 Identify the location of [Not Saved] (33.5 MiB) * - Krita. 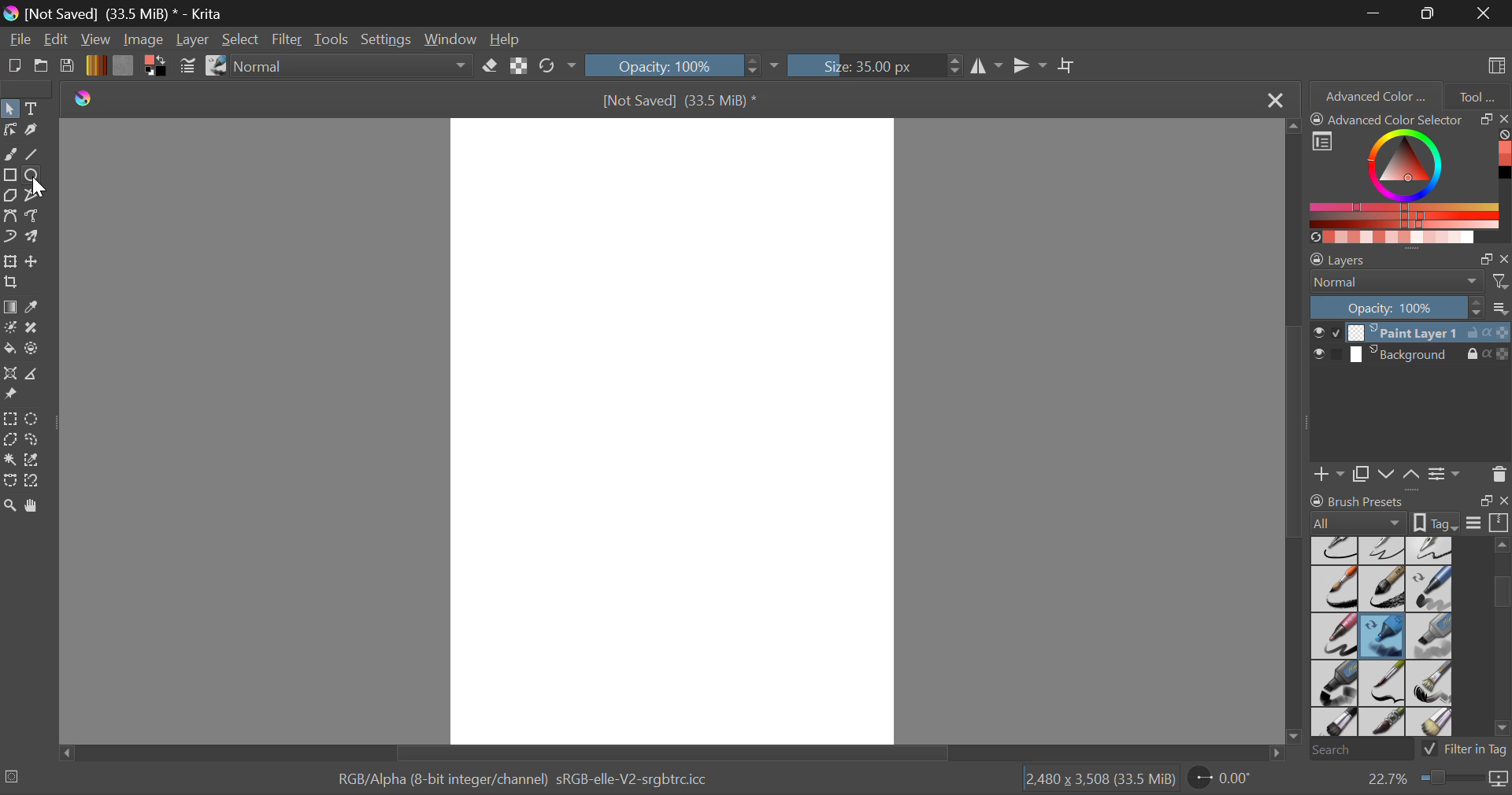
(124, 14).